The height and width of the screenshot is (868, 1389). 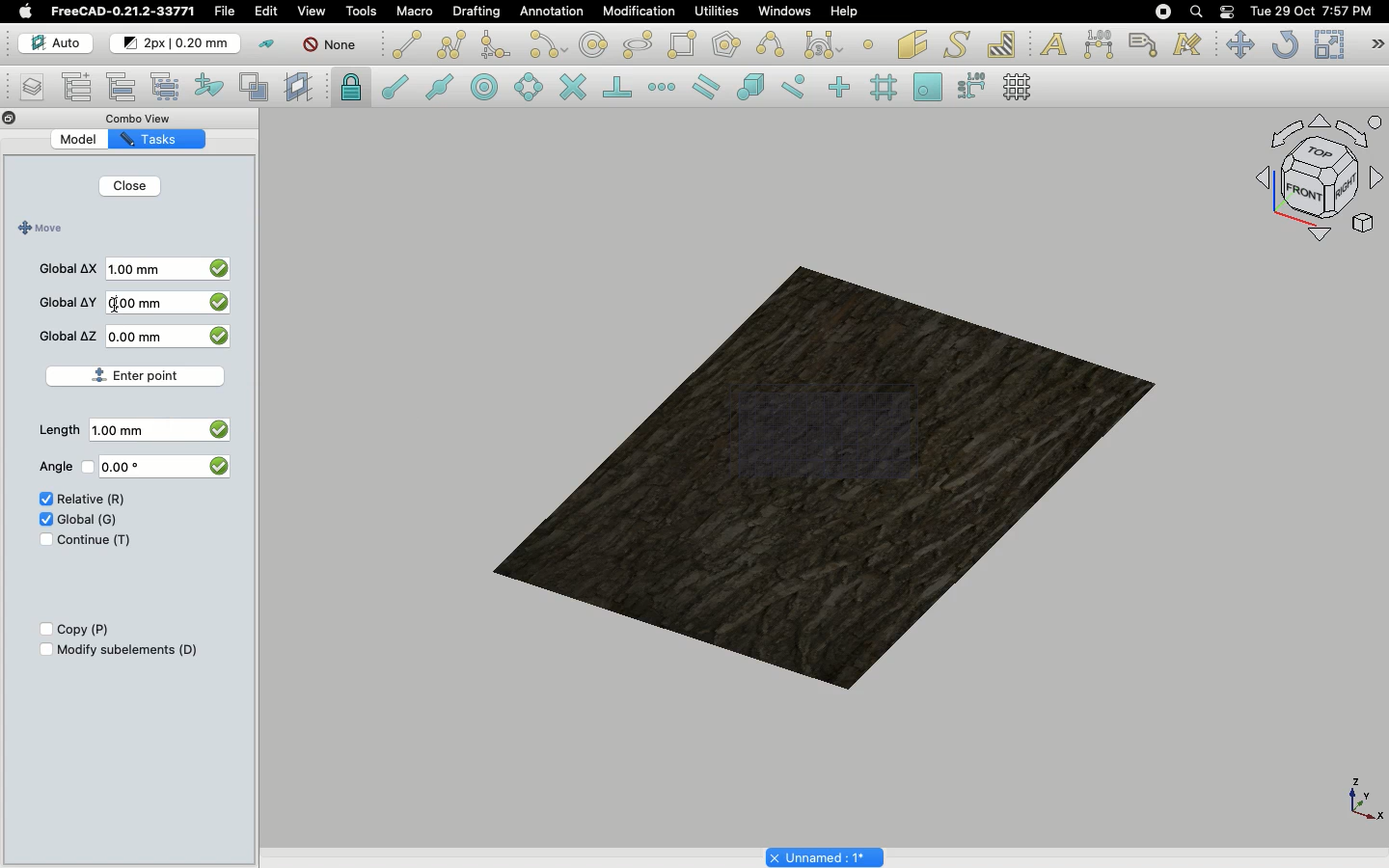 I want to click on checkbox, so click(x=217, y=427).